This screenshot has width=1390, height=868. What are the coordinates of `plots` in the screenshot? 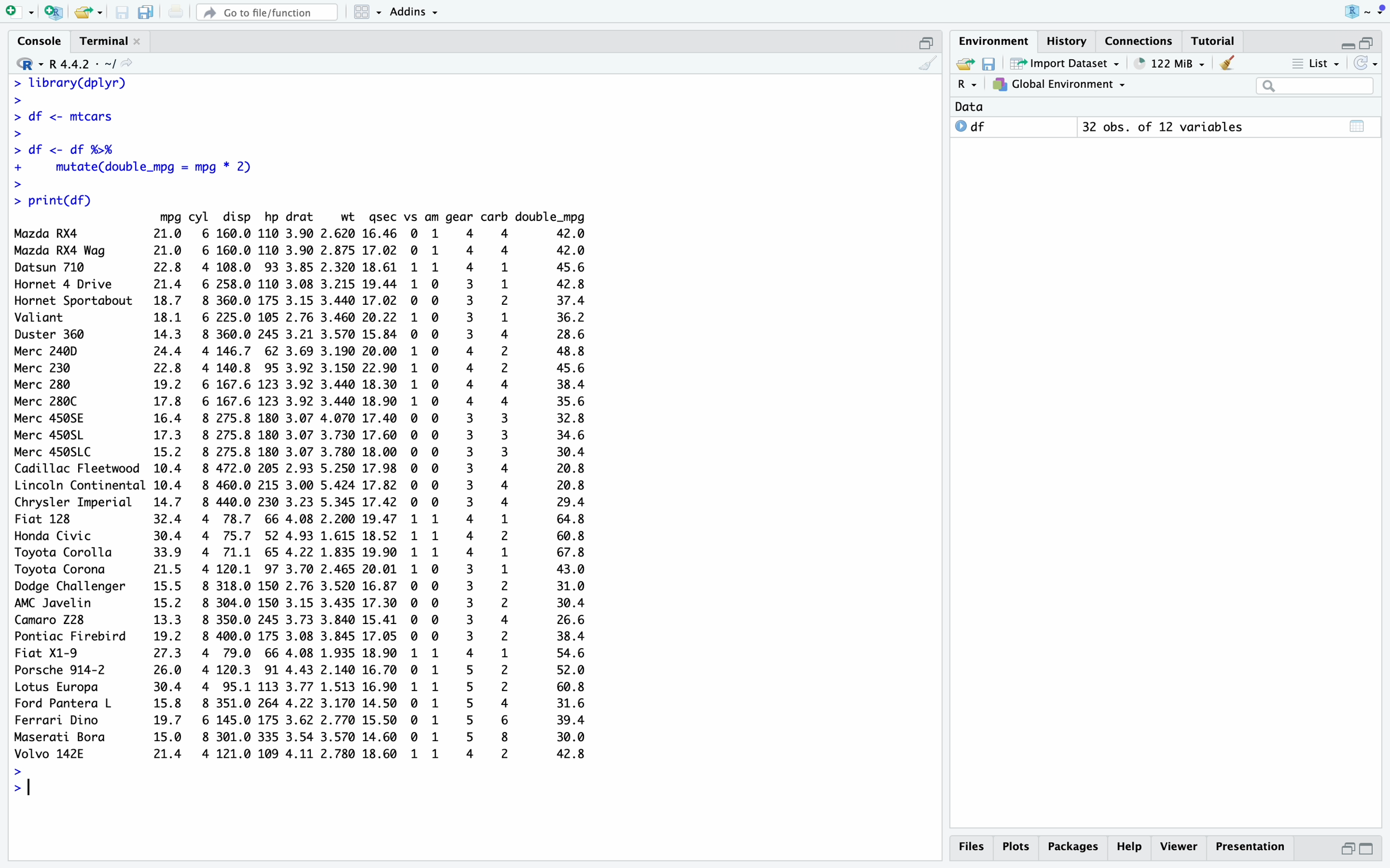 It's located at (1018, 847).